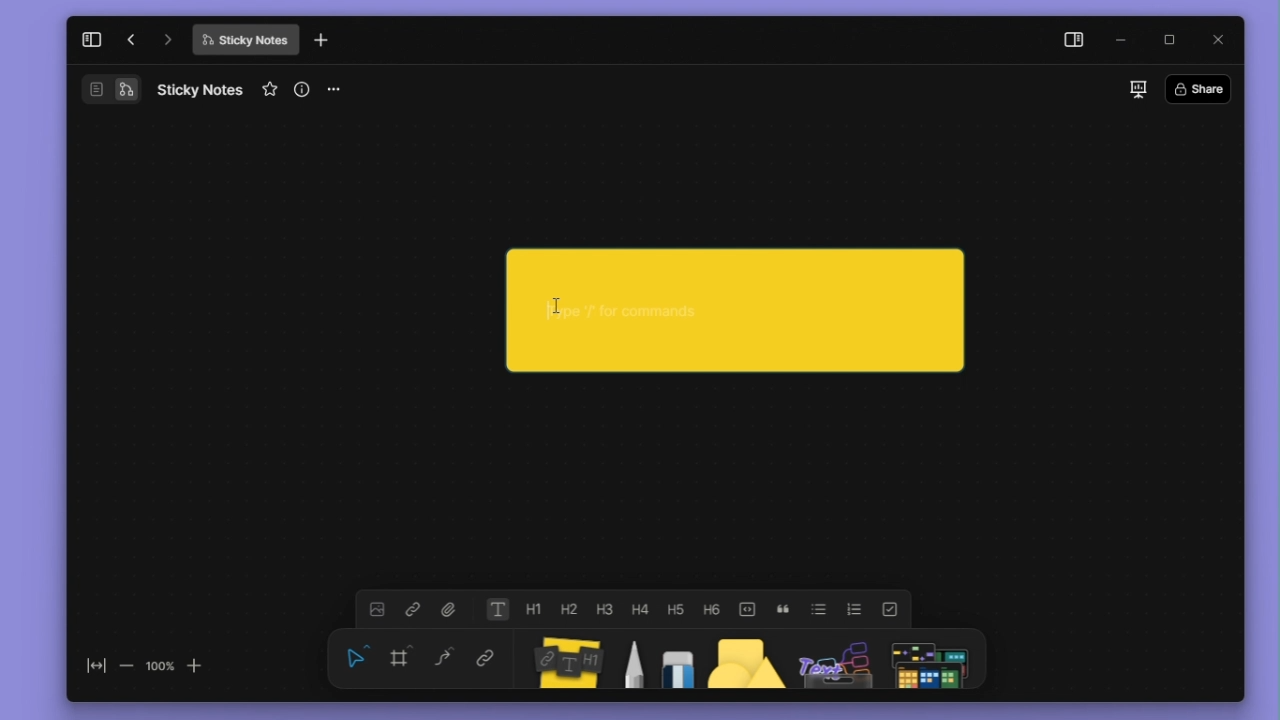 This screenshot has width=1280, height=720. What do you see at coordinates (270, 92) in the screenshot?
I see `favourite` at bounding box center [270, 92].